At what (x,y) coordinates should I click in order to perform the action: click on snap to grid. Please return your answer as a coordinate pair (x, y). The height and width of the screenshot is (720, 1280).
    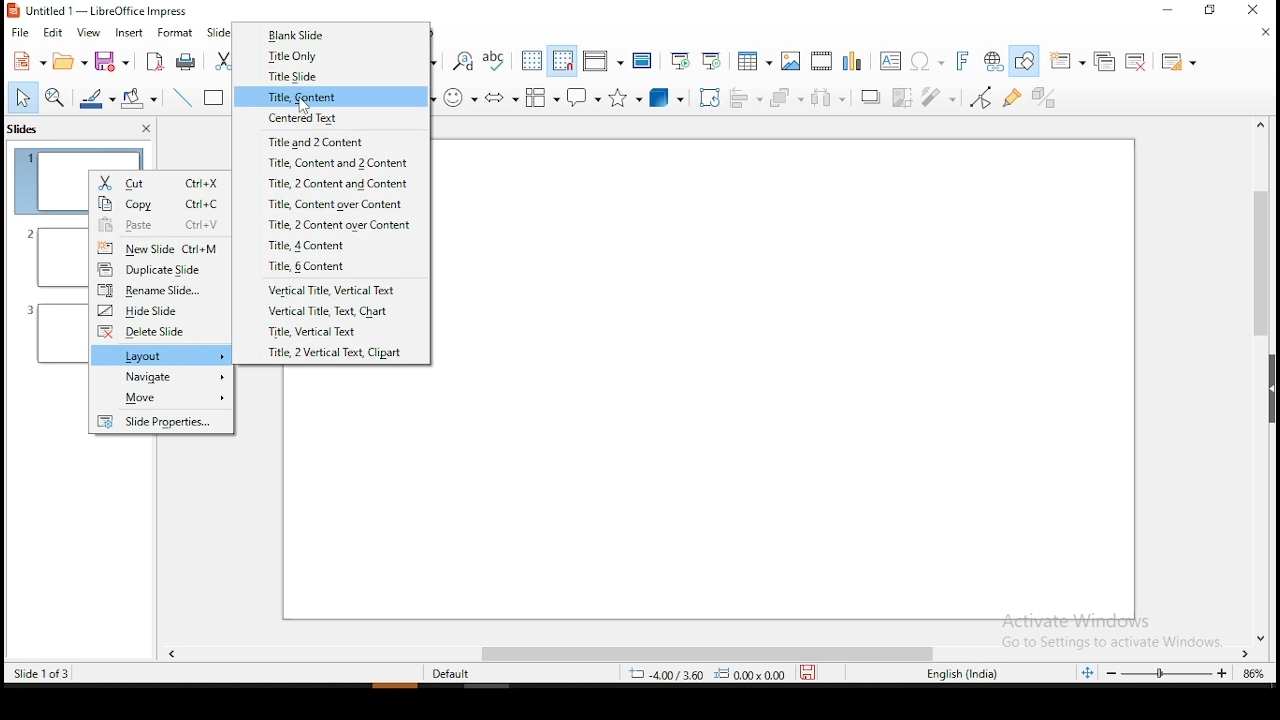
    Looking at the image, I should click on (564, 62).